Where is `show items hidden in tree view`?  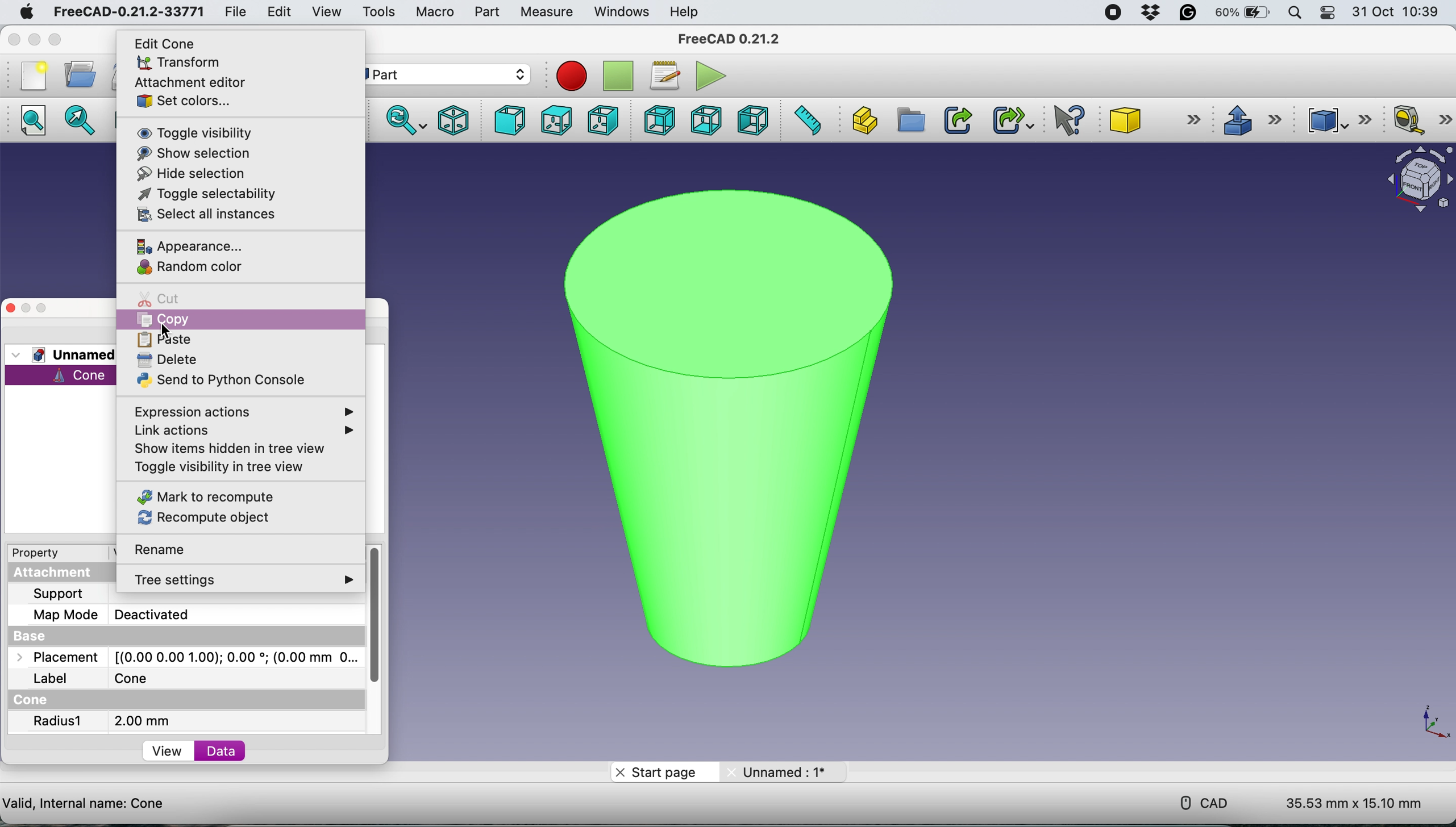
show items hidden in tree view is located at coordinates (238, 448).